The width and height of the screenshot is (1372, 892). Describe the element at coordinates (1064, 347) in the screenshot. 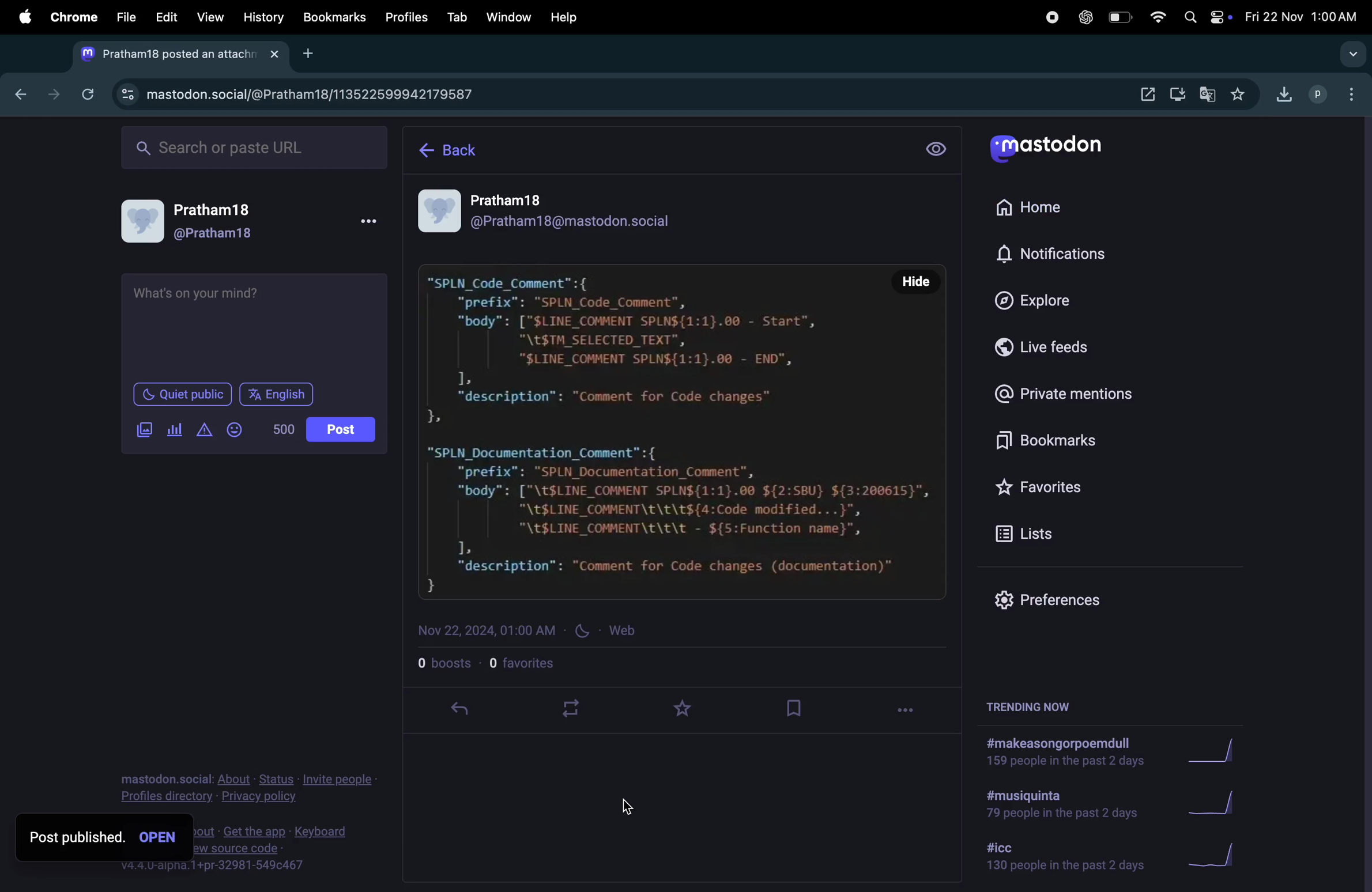

I see `live feeds` at that location.